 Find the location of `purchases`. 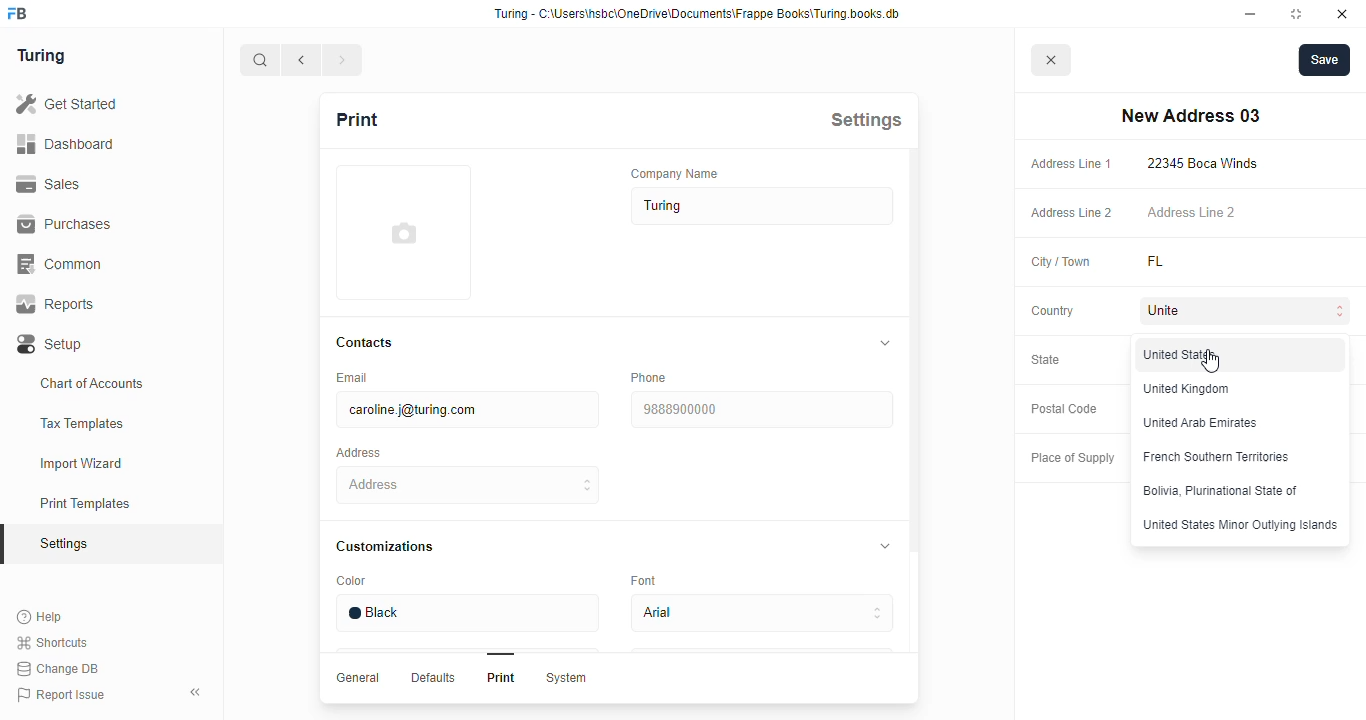

purchases is located at coordinates (64, 224).